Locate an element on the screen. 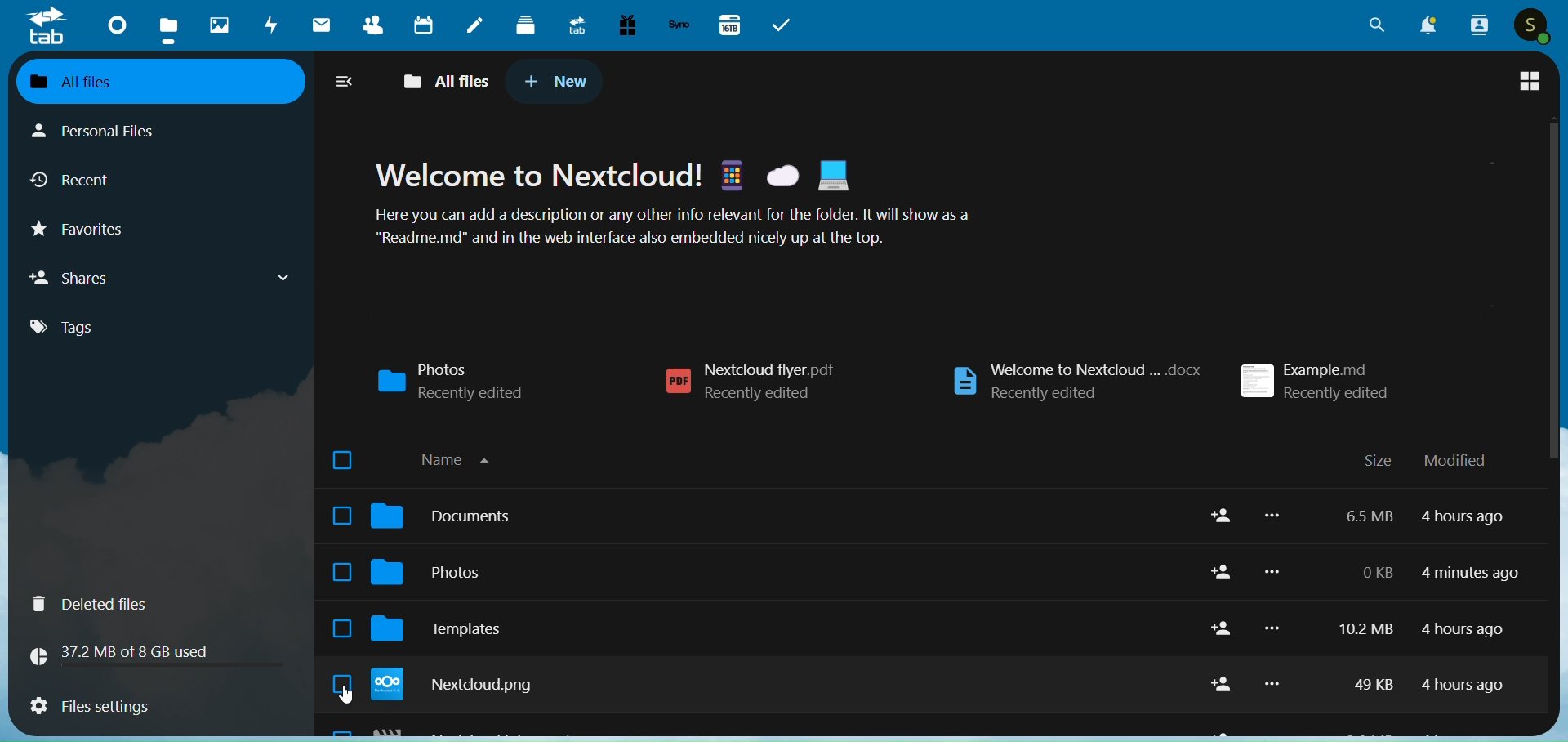 The image size is (1568, 742). 0KB 4 minutes ago is located at coordinates (1438, 573).